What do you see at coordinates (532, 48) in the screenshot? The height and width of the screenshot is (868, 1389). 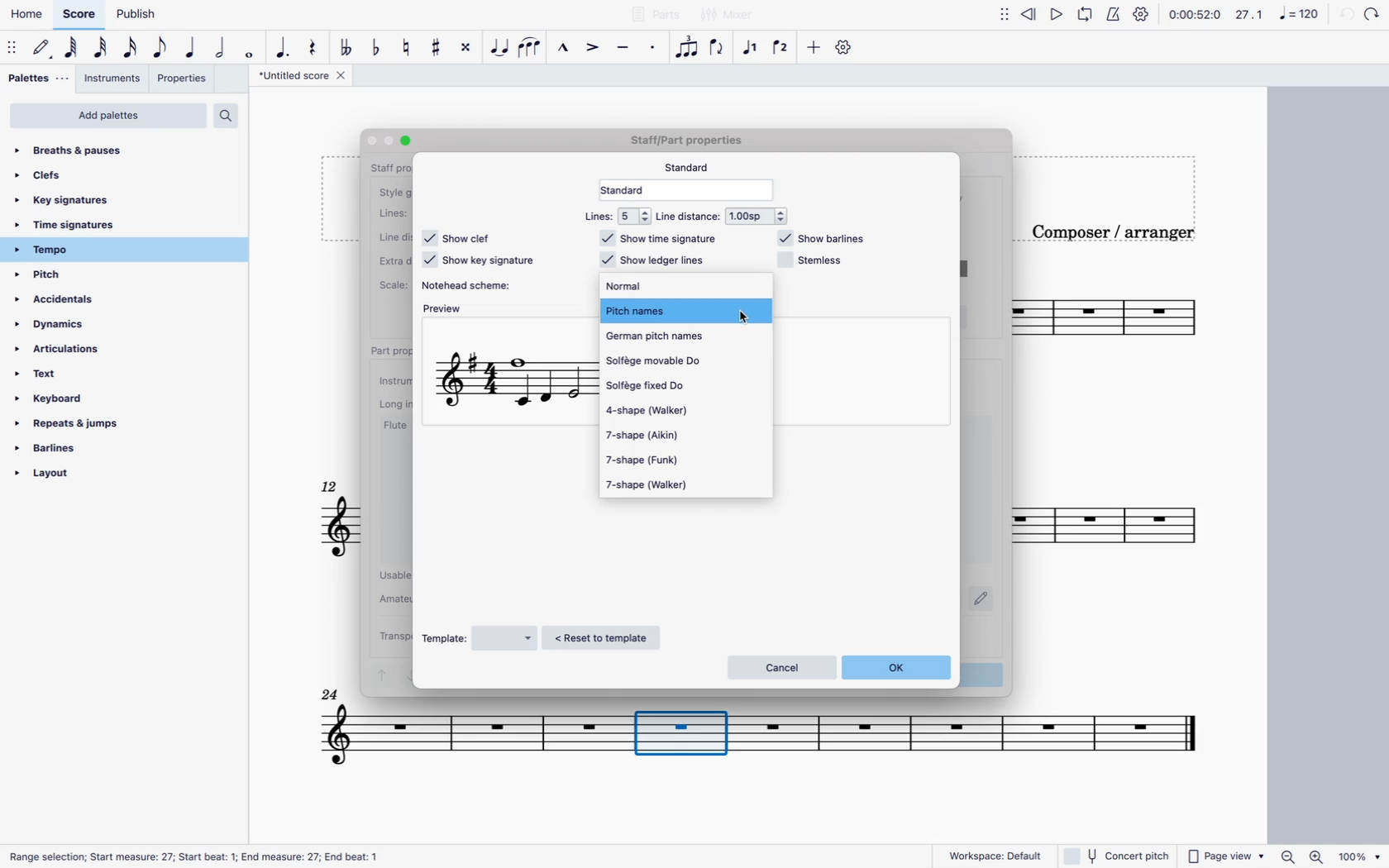 I see `slur` at bounding box center [532, 48].